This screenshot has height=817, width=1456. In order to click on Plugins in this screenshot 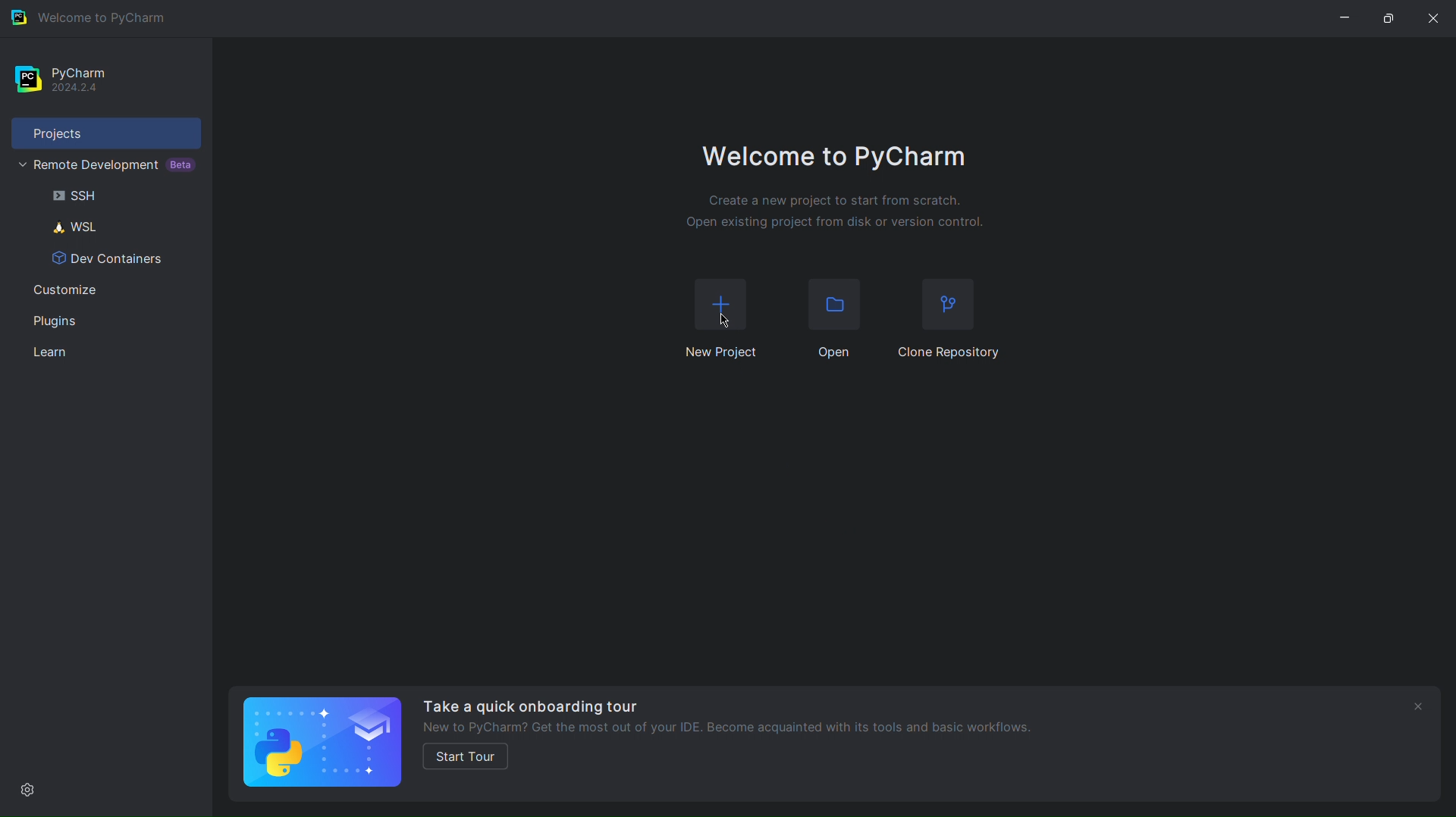, I will do `click(106, 323)`.